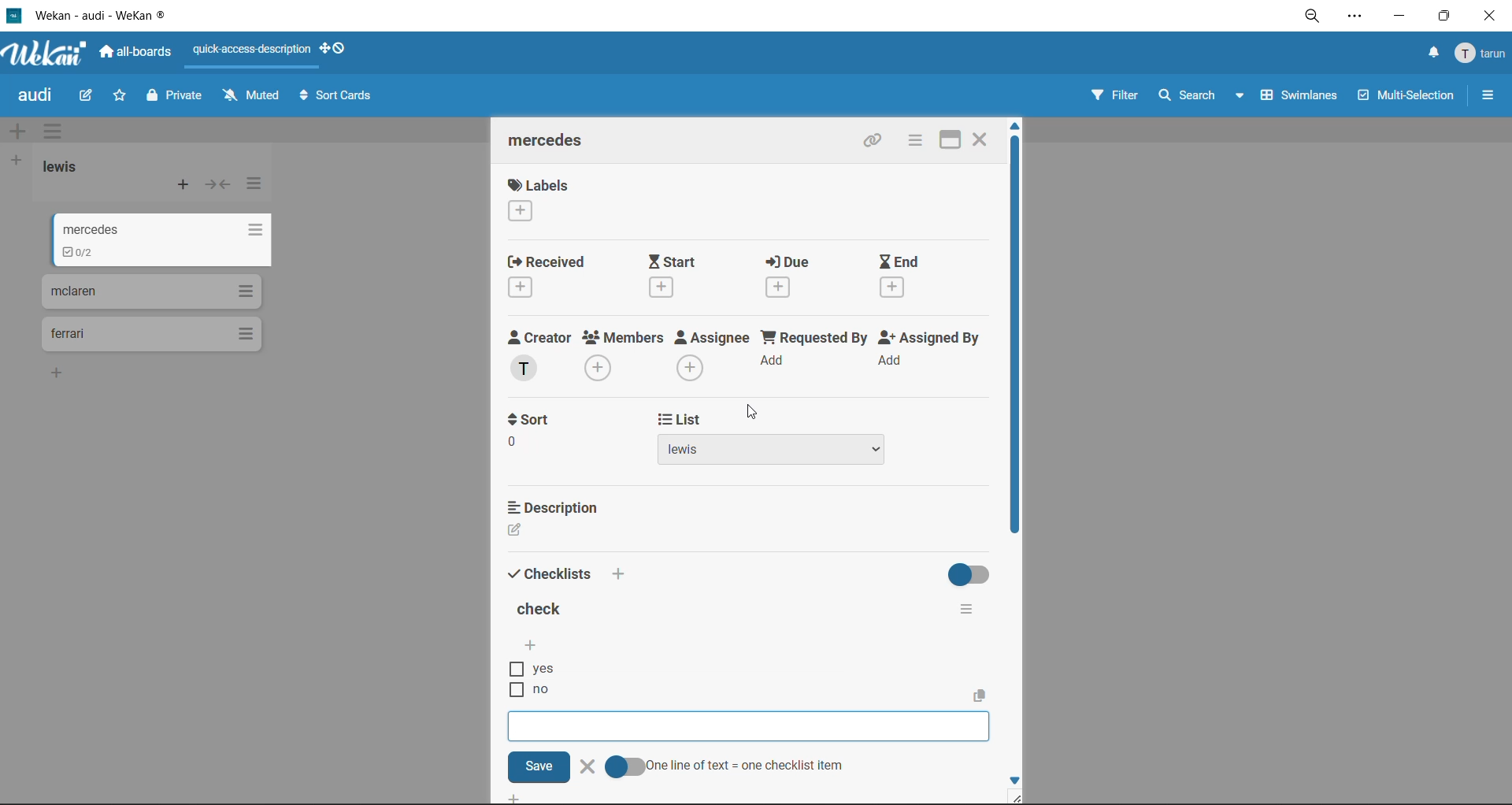  Describe the element at coordinates (121, 99) in the screenshot. I see `star` at that location.